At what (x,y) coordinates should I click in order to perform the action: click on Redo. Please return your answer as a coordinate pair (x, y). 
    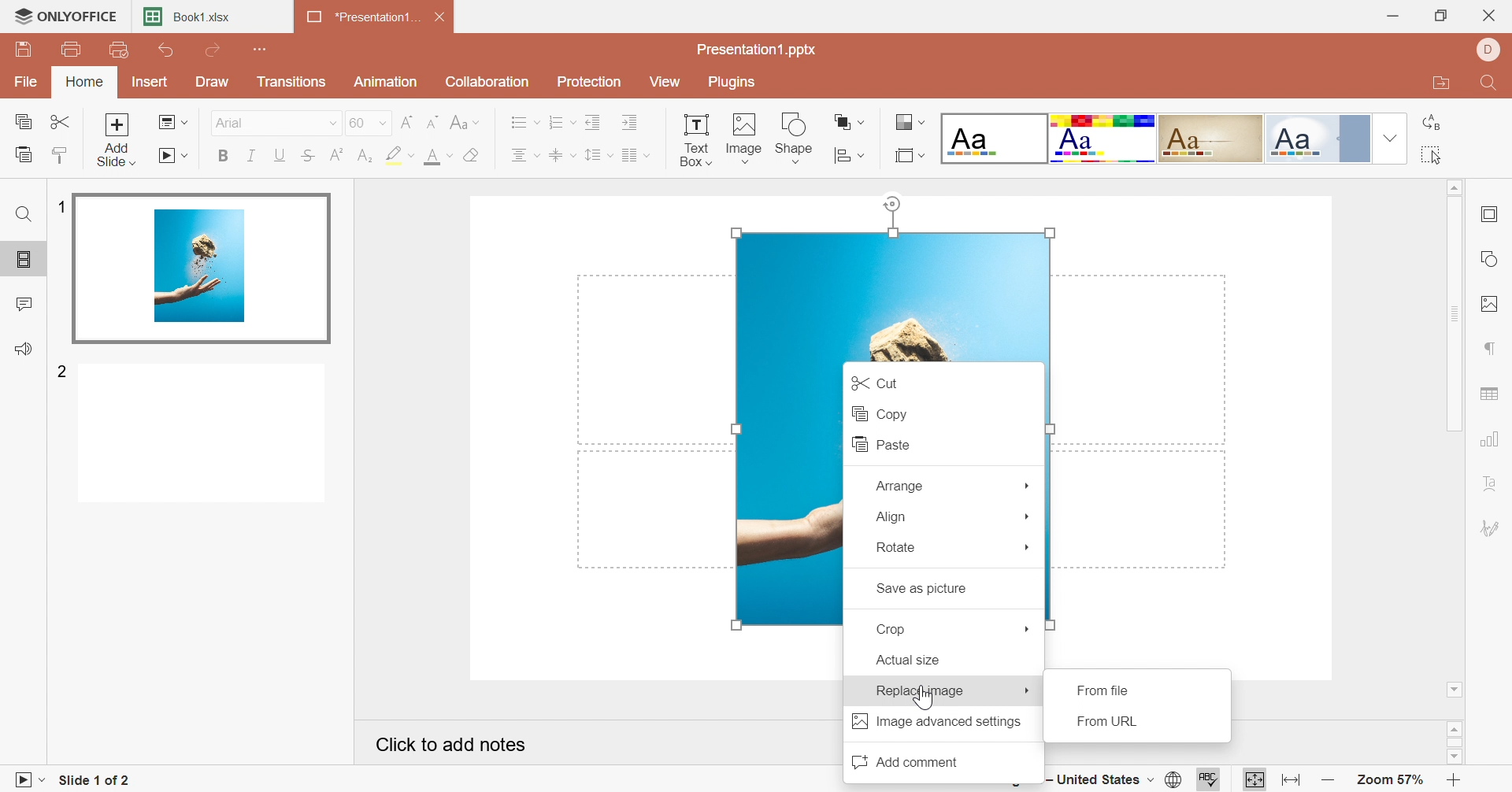
    Looking at the image, I should click on (213, 50).